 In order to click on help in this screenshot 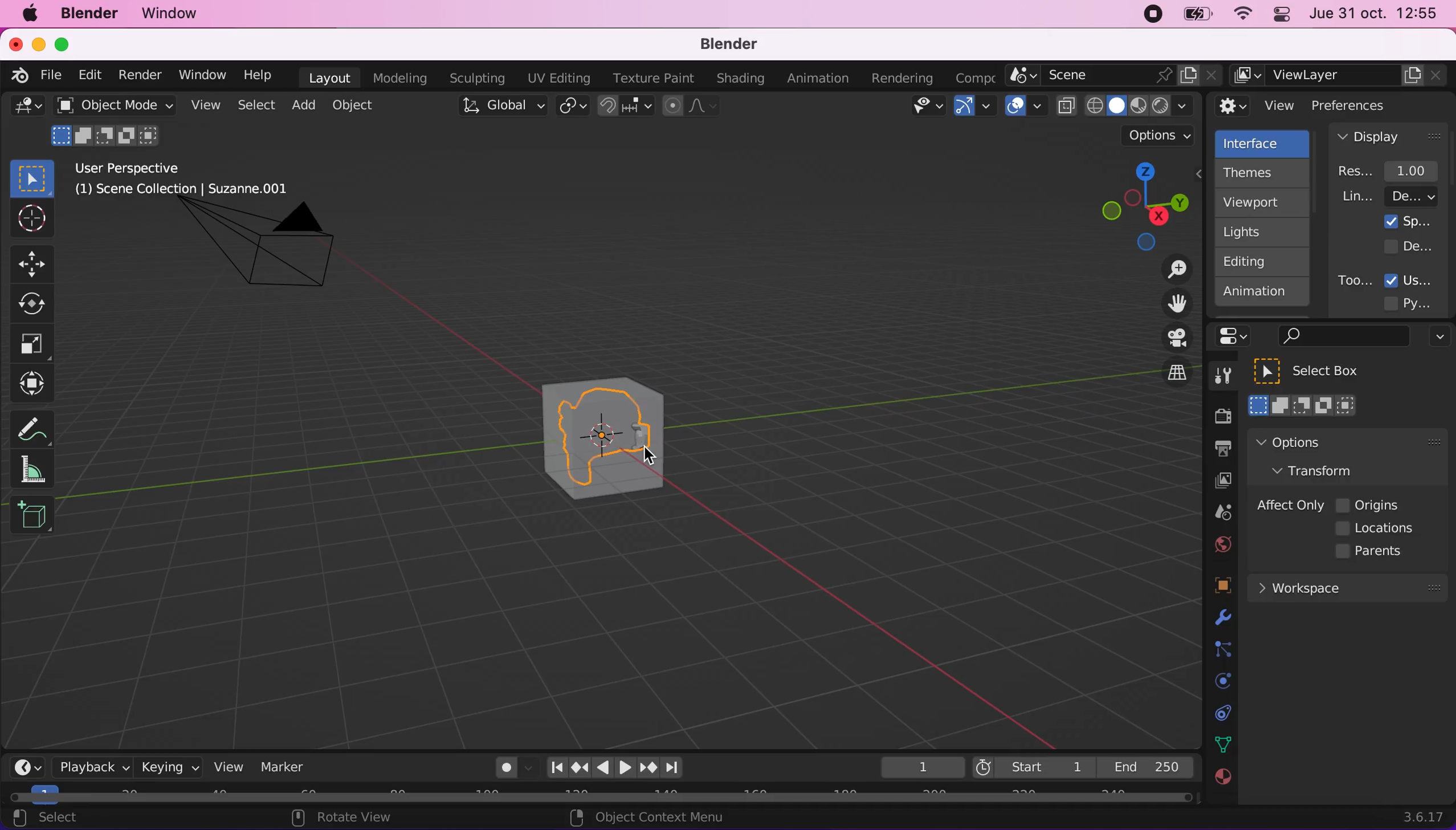, I will do `click(259, 74)`.